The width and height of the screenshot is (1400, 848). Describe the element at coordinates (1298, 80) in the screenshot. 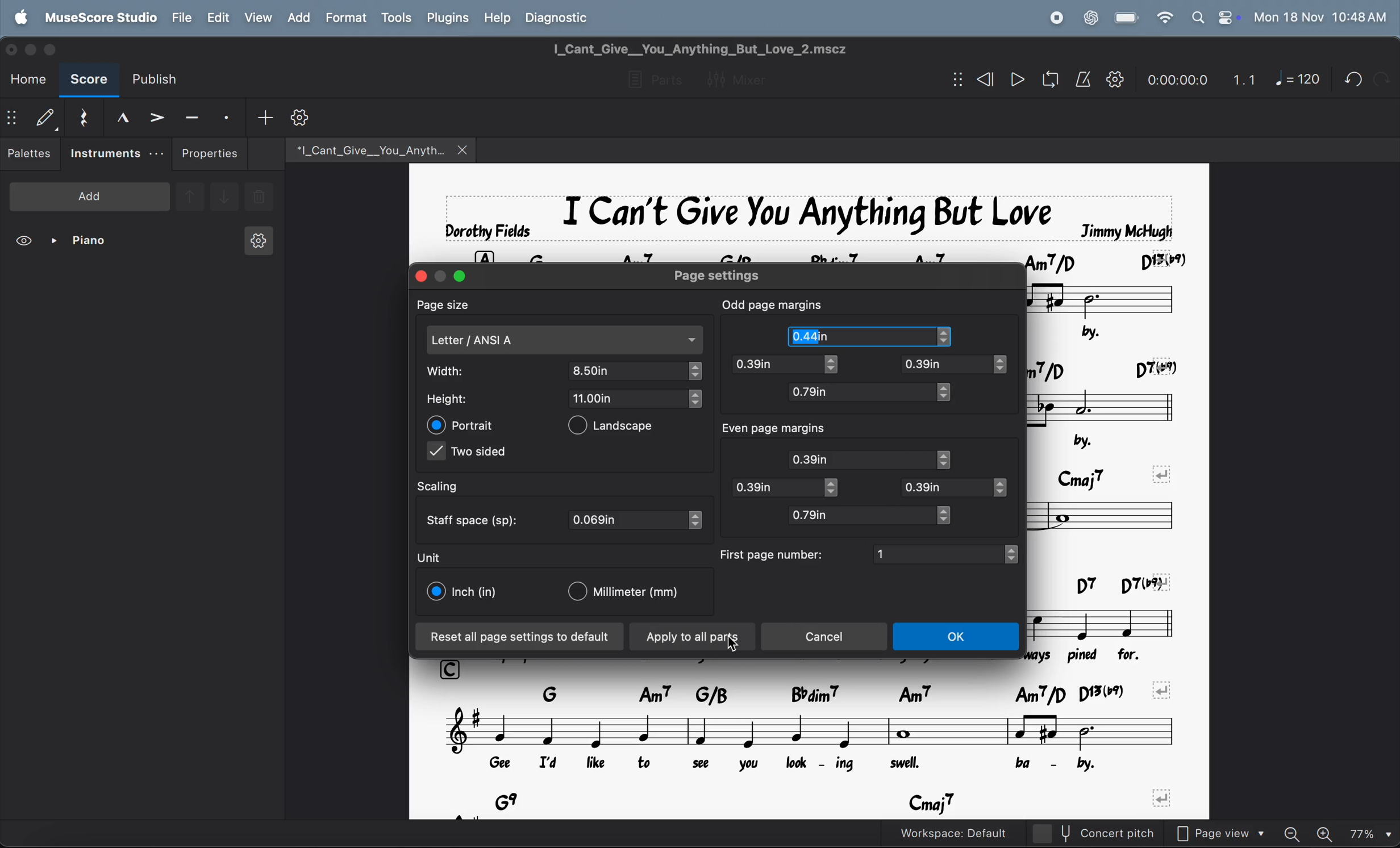

I see `note 120` at that location.